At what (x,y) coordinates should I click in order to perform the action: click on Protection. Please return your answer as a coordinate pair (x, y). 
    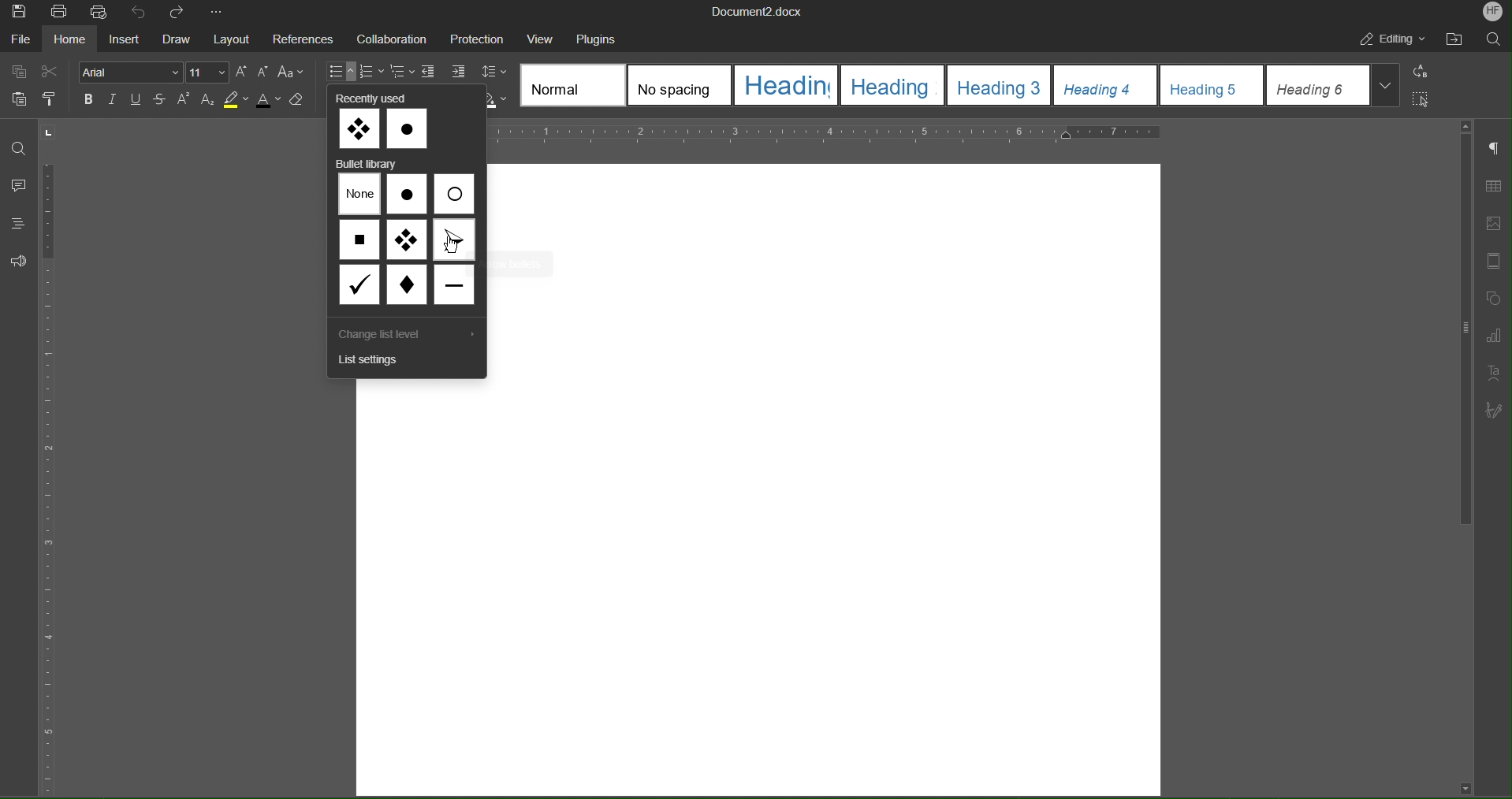
    Looking at the image, I should click on (479, 39).